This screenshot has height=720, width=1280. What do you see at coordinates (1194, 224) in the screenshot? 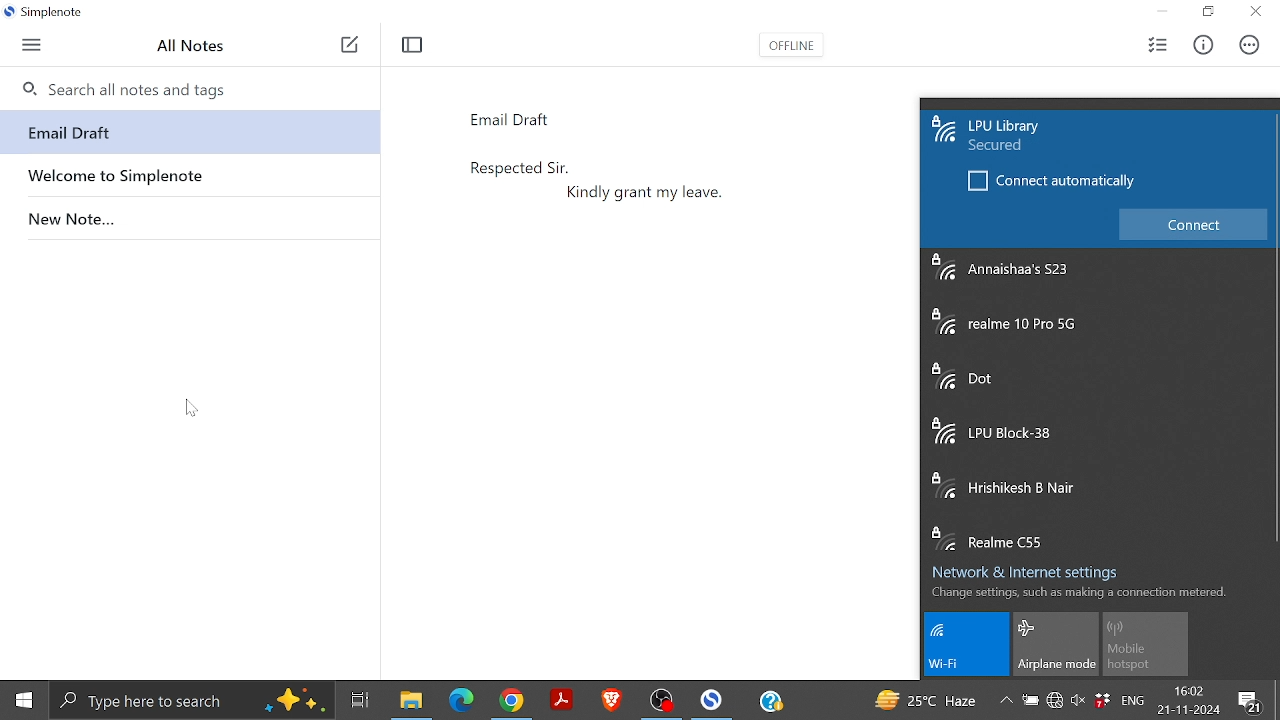
I see `Connect` at bounding box center [1194, 224].